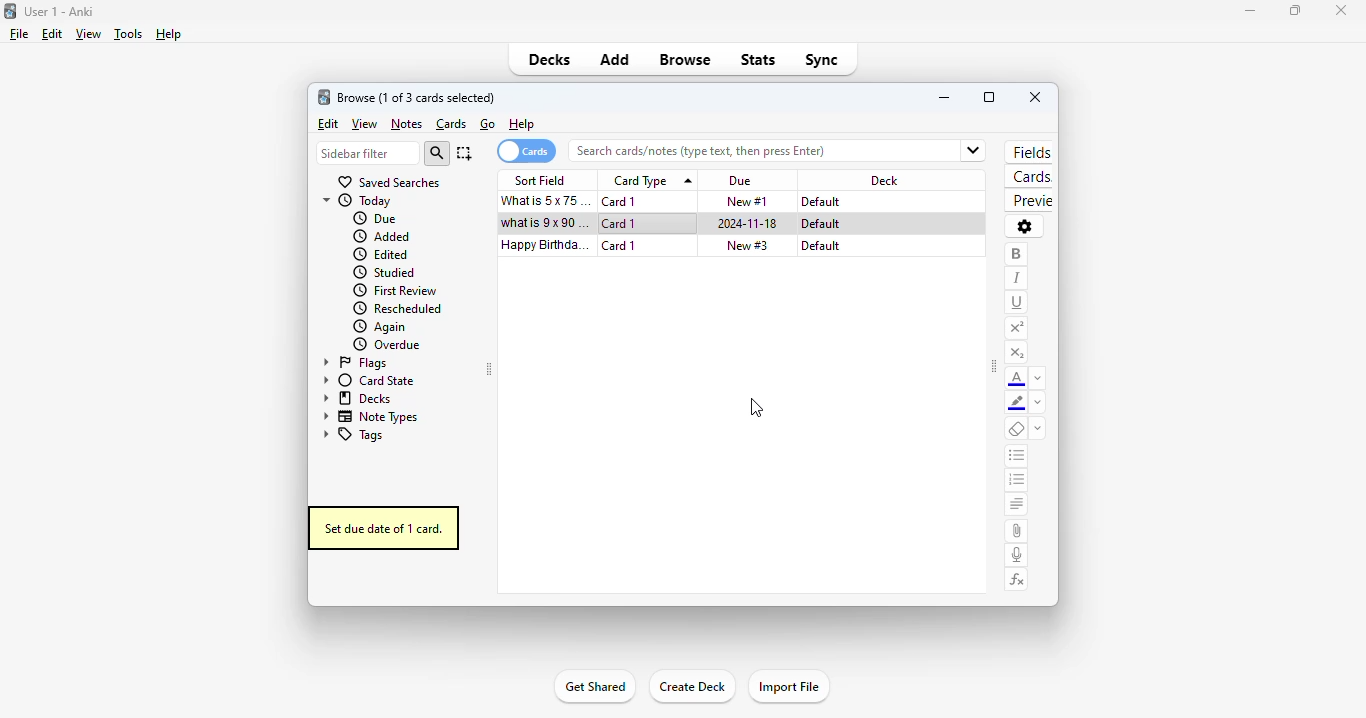 Image resolution: width=1366 pixels, height=718 pixels. I want to click on set due date of 1 card, so click(382, 529).